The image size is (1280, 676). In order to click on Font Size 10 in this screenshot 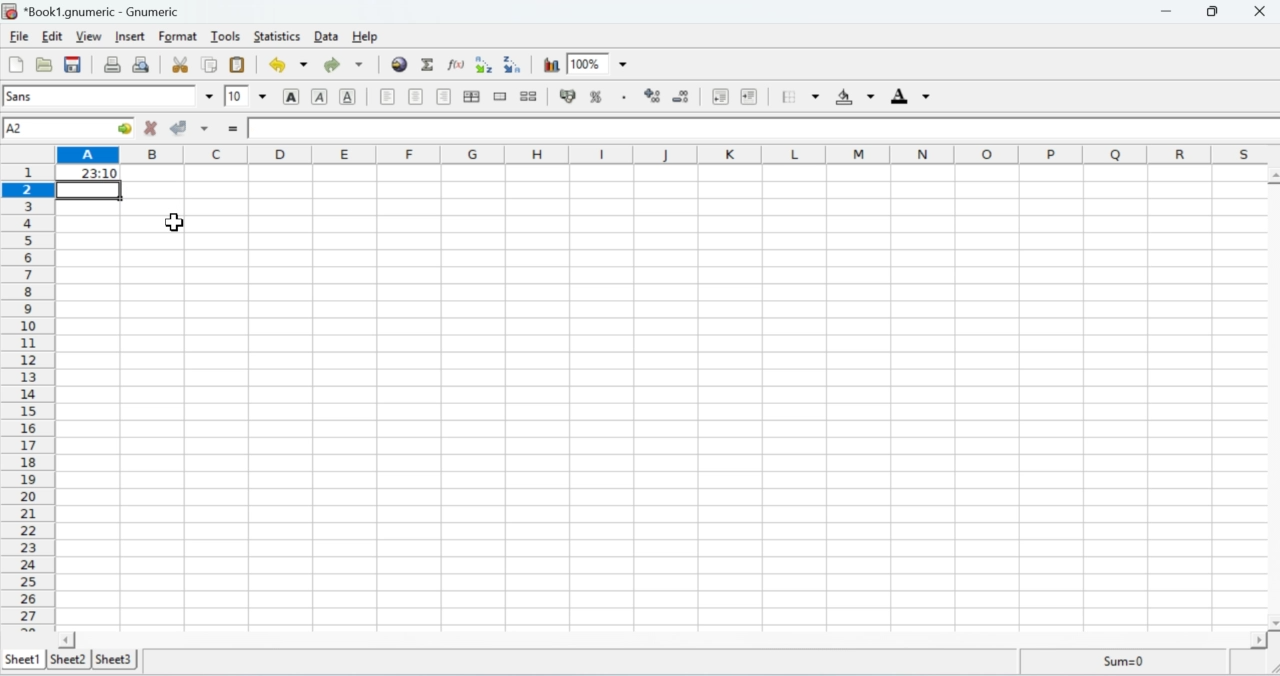, I will do `click(245, 95)`.